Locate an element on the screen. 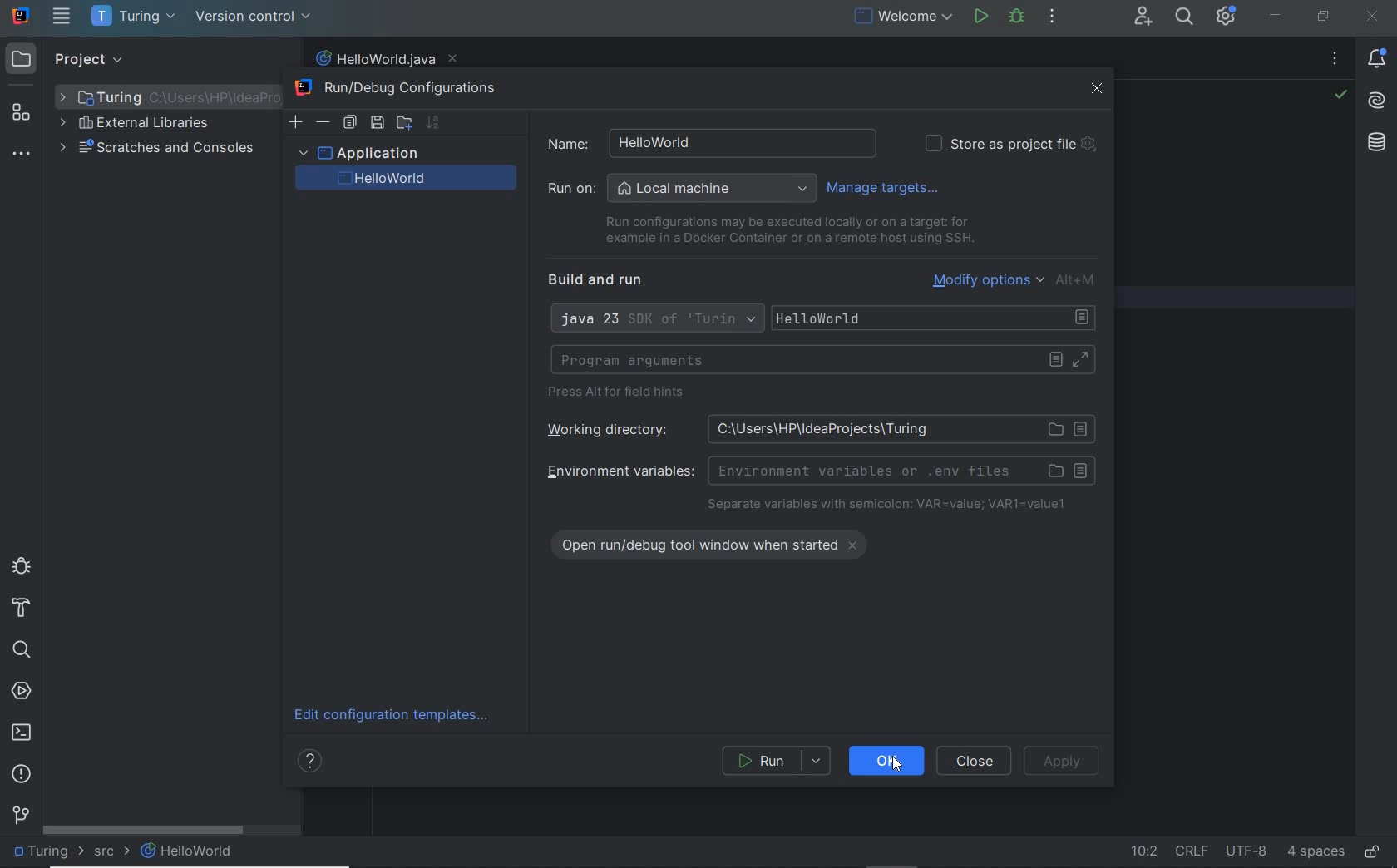 This screenshot has width=1397, height=868. current file: run/debug configurations is located at coordinates (901, 17).